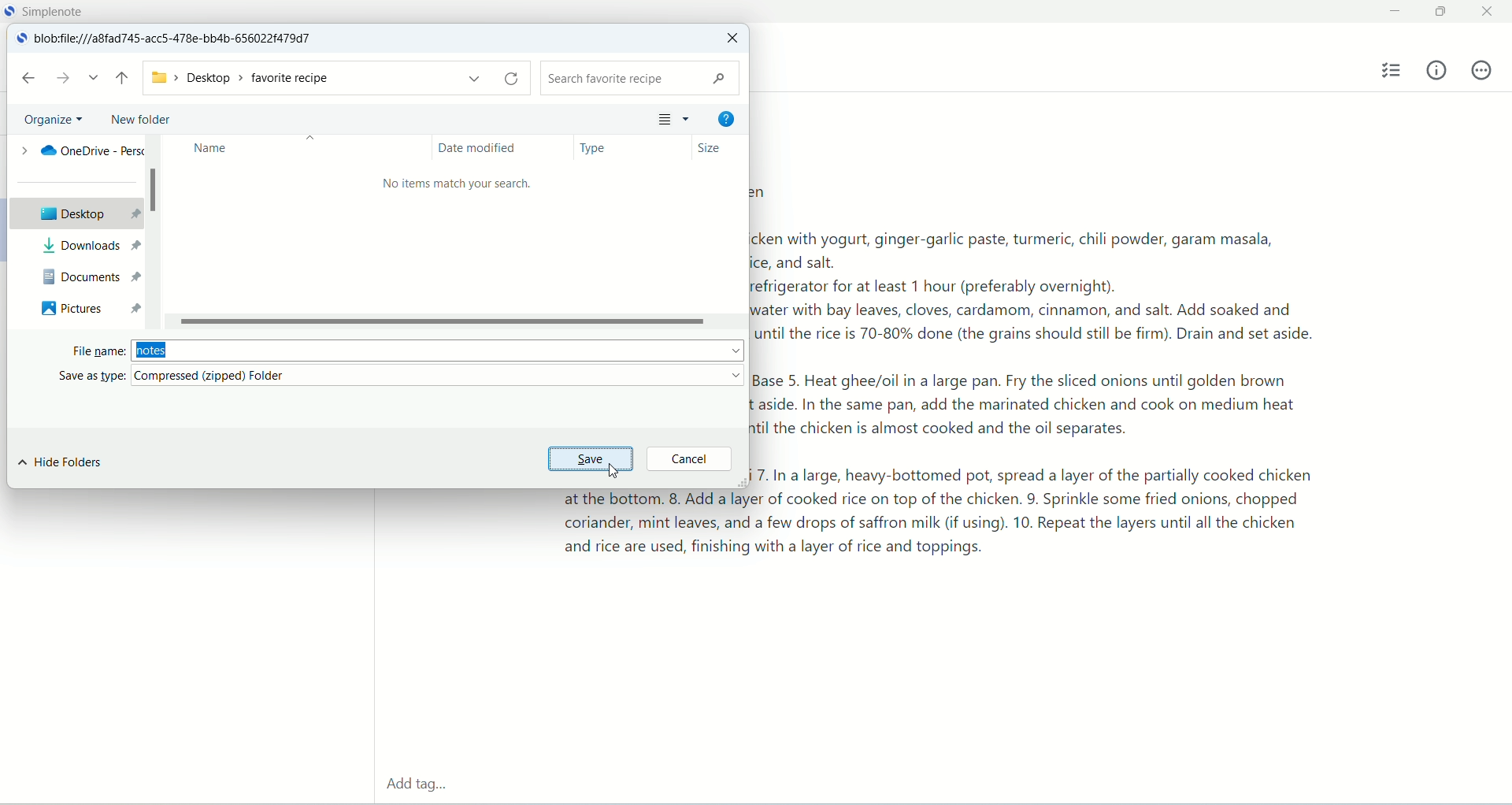 This screenshot has width=1512, height=805. Describe the element at coordinates (688, 458) in the screenshot. I see `cancel` at that location.